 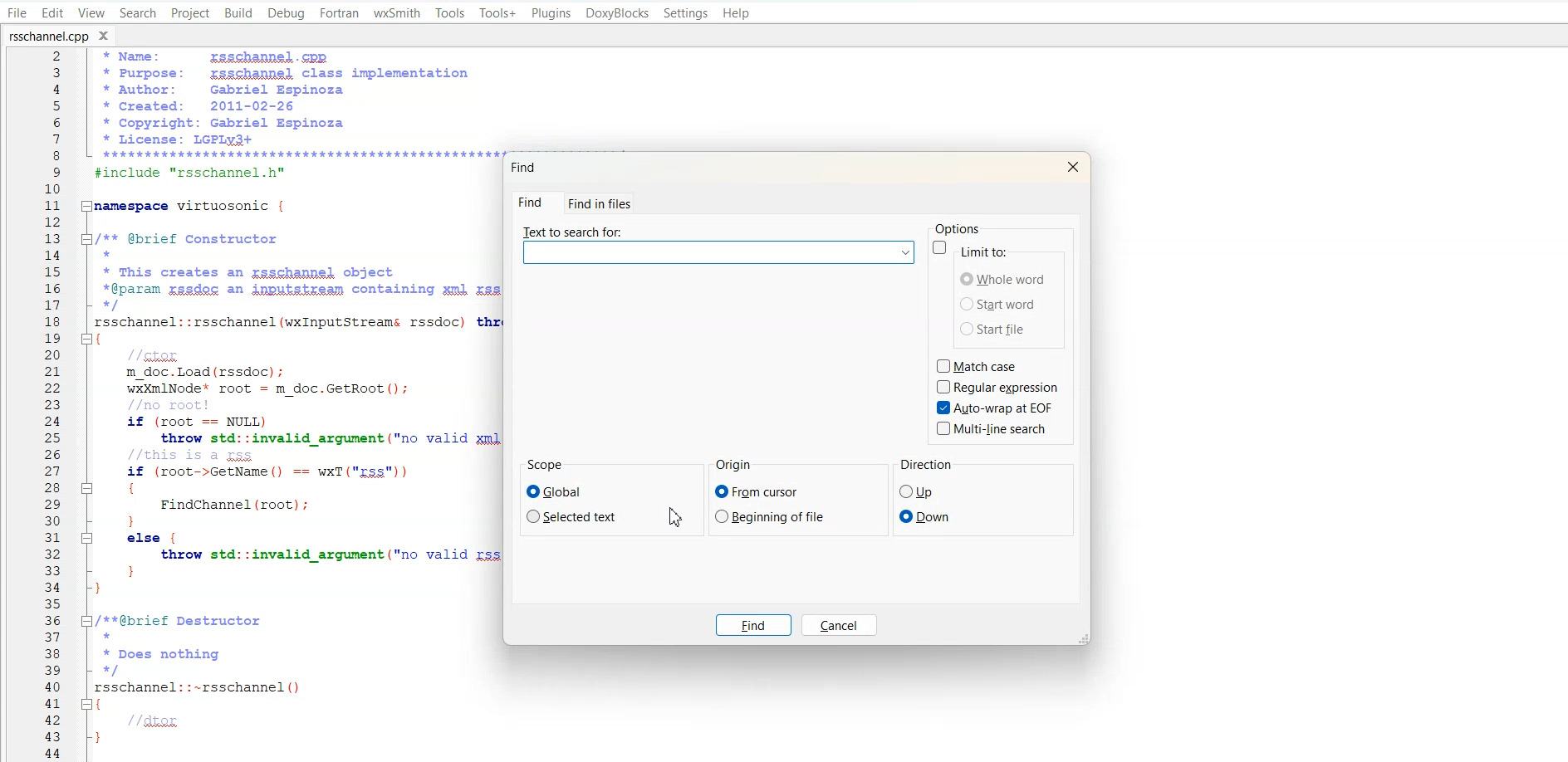 What do you see at coordinates (239, 13) in the screenshot?
I see `Build` at bounding box center [239, 13].